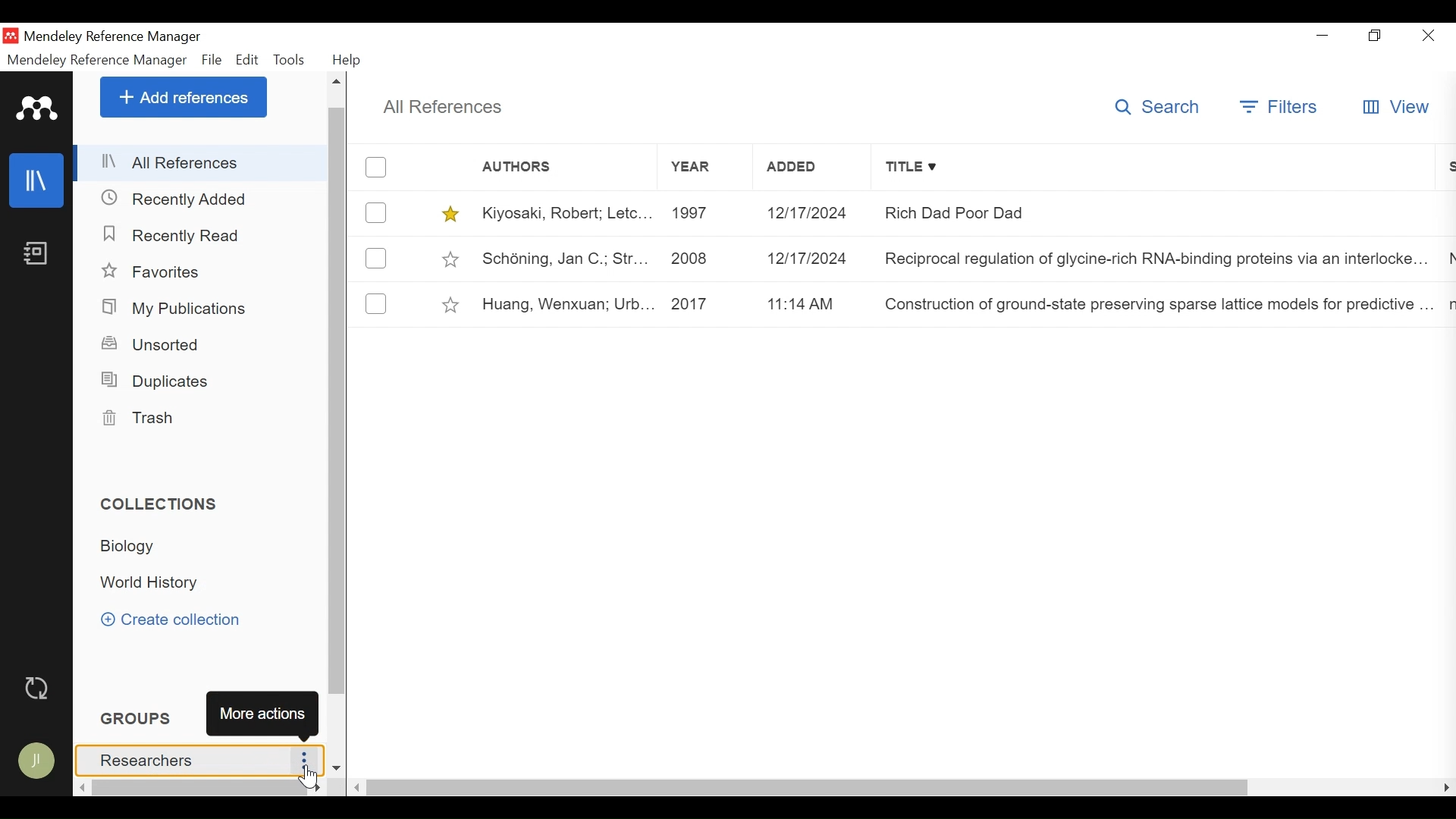 The image size is (1456, 819). I want to click on Year, so click(701, 169).